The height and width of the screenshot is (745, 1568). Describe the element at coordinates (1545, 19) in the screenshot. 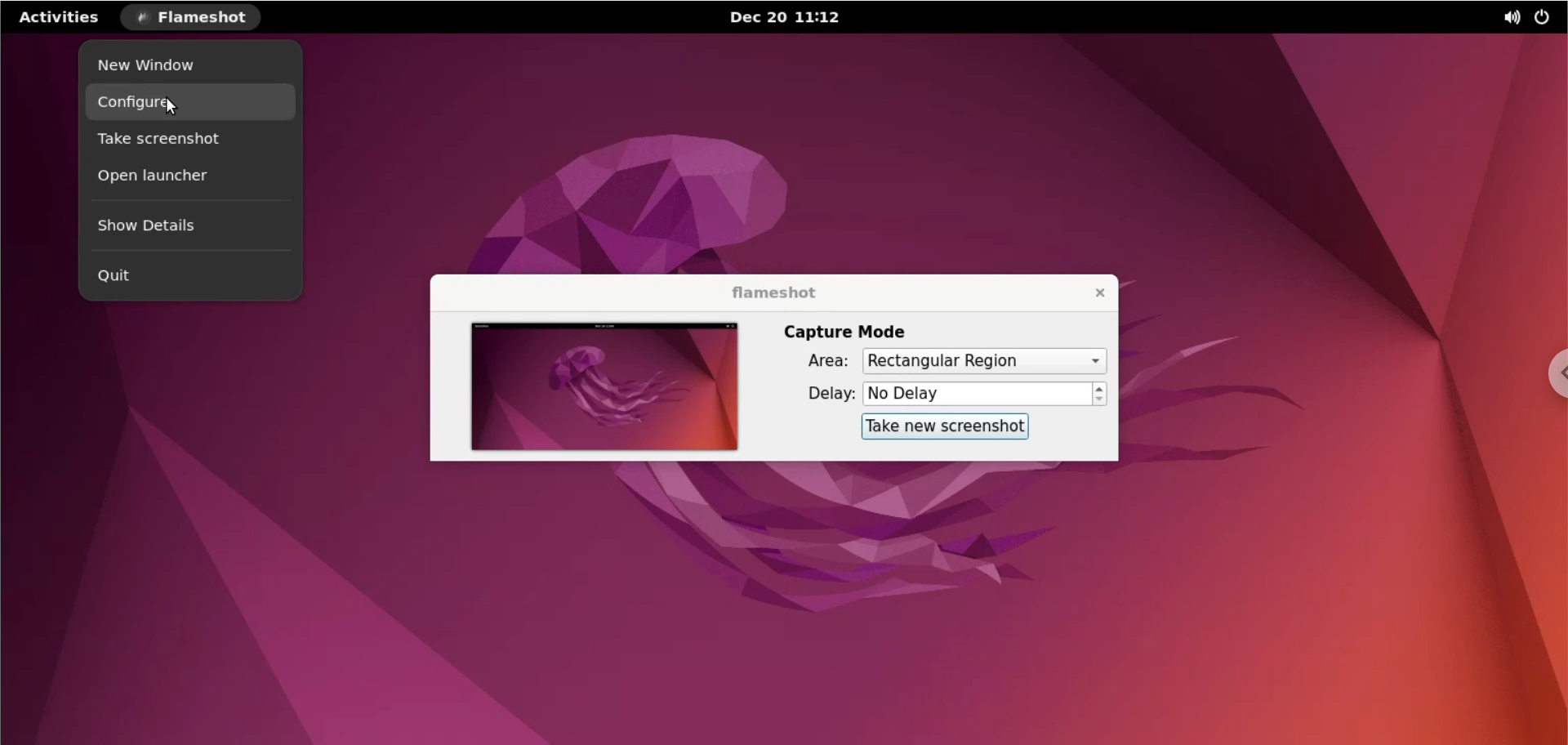

I see `power controls` at that location.